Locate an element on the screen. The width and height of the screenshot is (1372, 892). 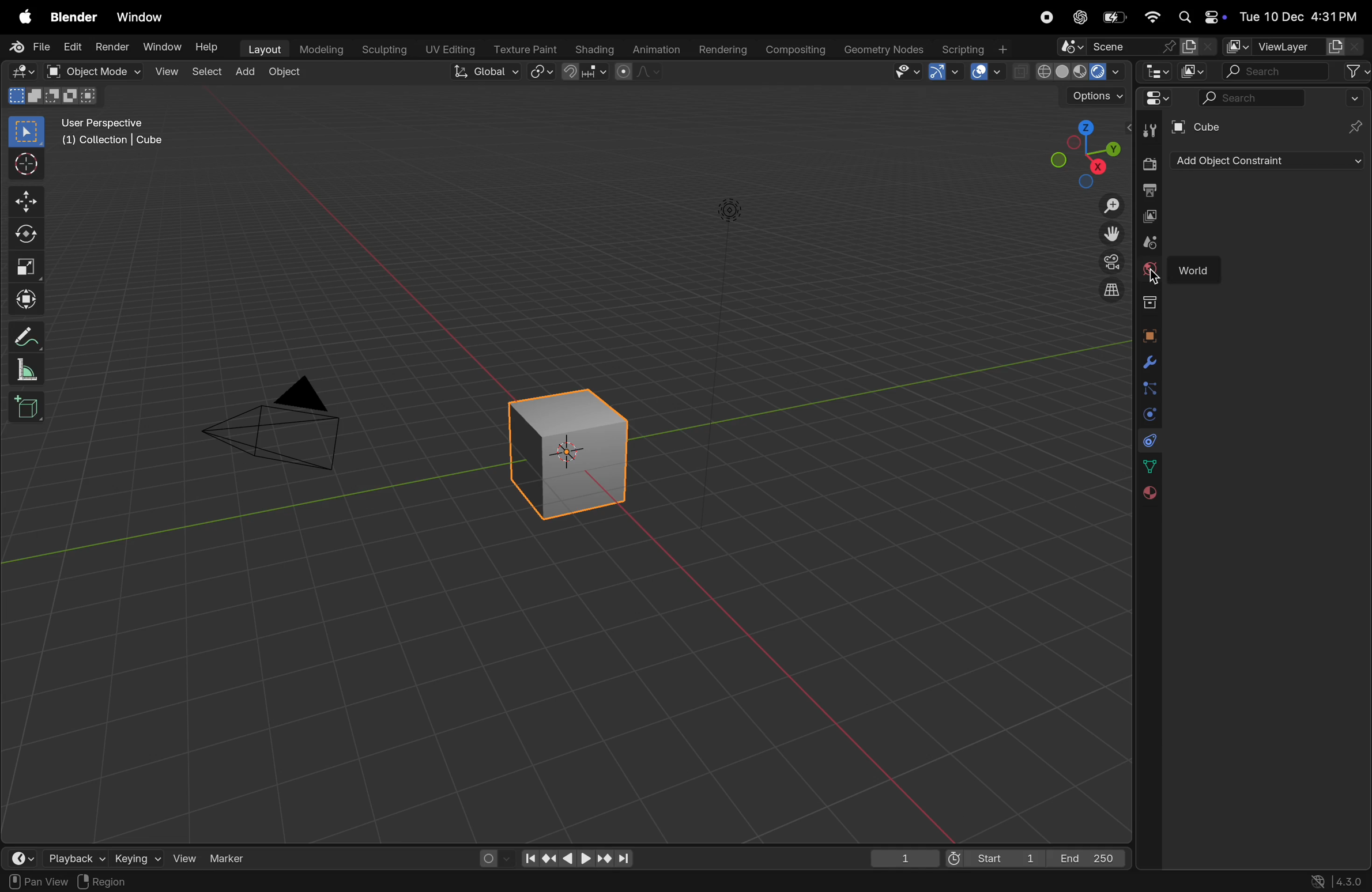
add objects and constraints is located at coordinates (1269, 161).